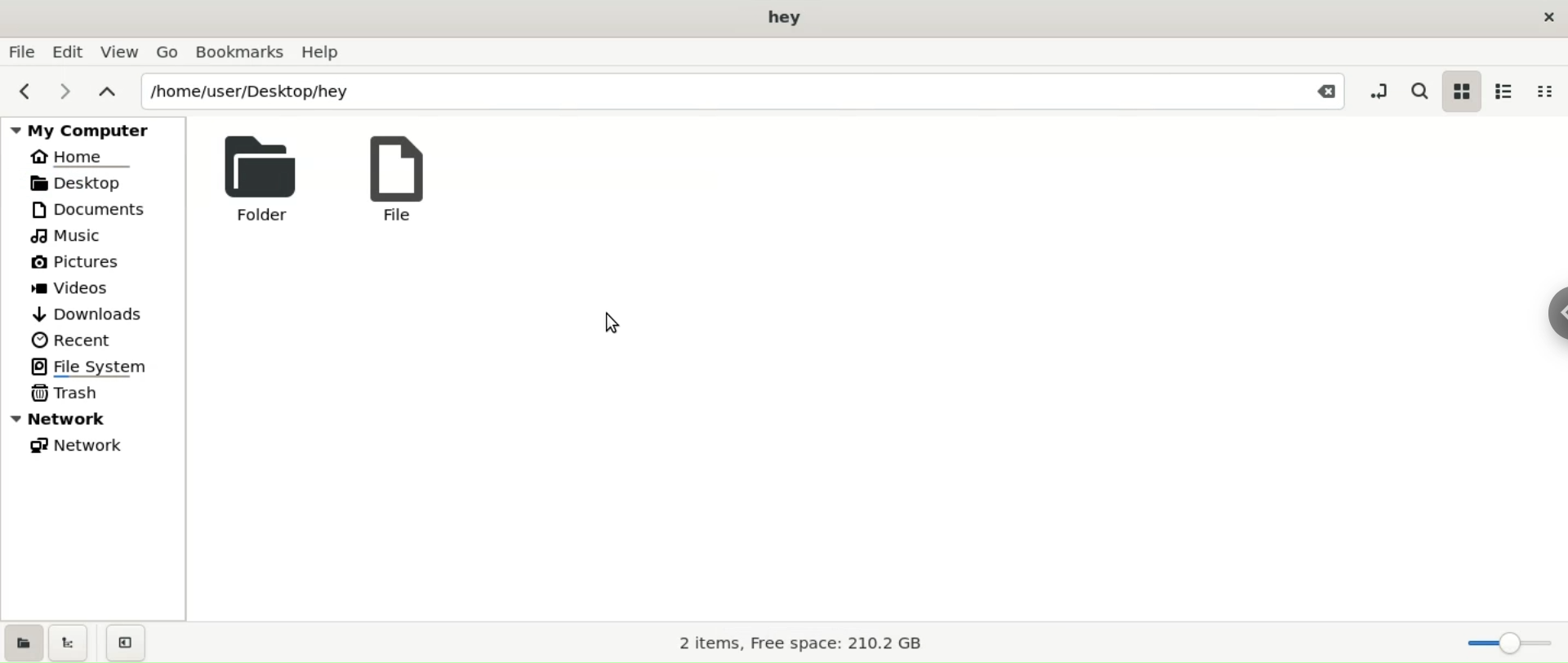 The image size is (1568, 663). What do you see at coordinates (816, 642) in the screenshot?
I see `2 items, Free space: 210.2 GB` at bounding box center [816, 642].